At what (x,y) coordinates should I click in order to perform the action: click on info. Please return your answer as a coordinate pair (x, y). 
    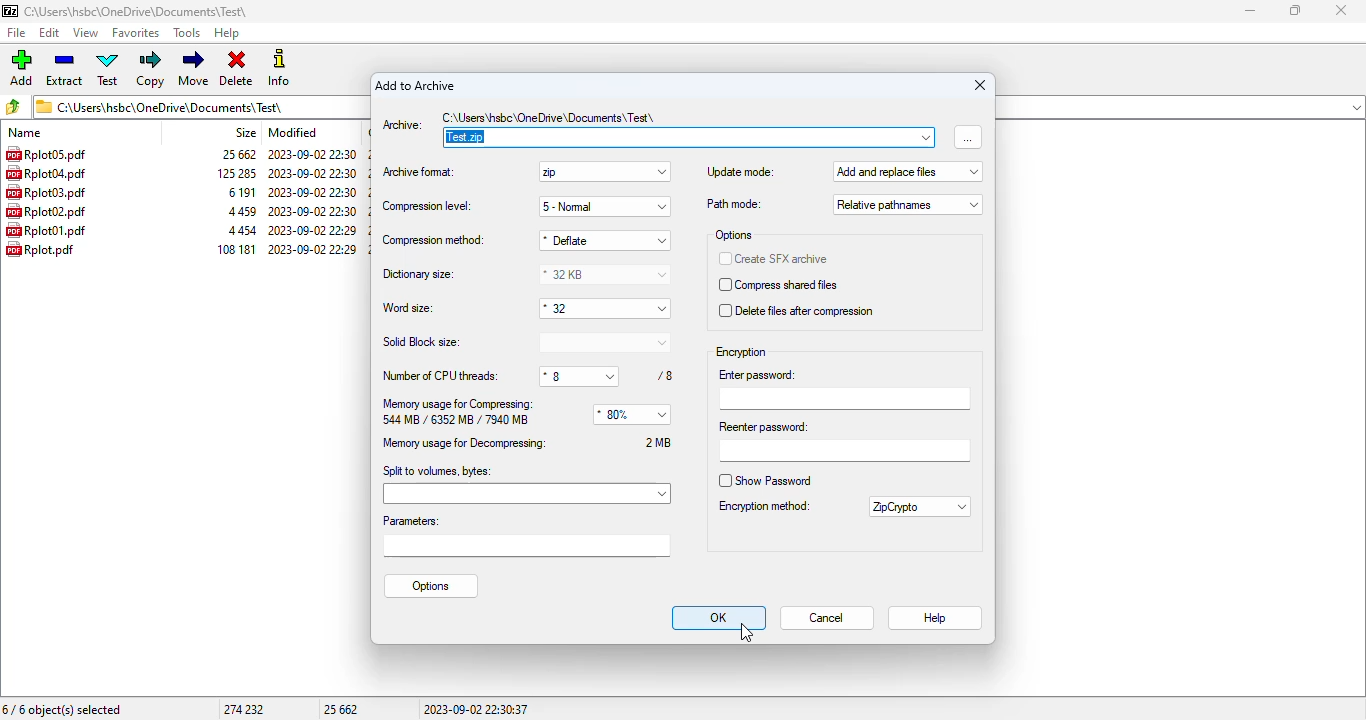
    Looking at the image, I should click on (281, 68).